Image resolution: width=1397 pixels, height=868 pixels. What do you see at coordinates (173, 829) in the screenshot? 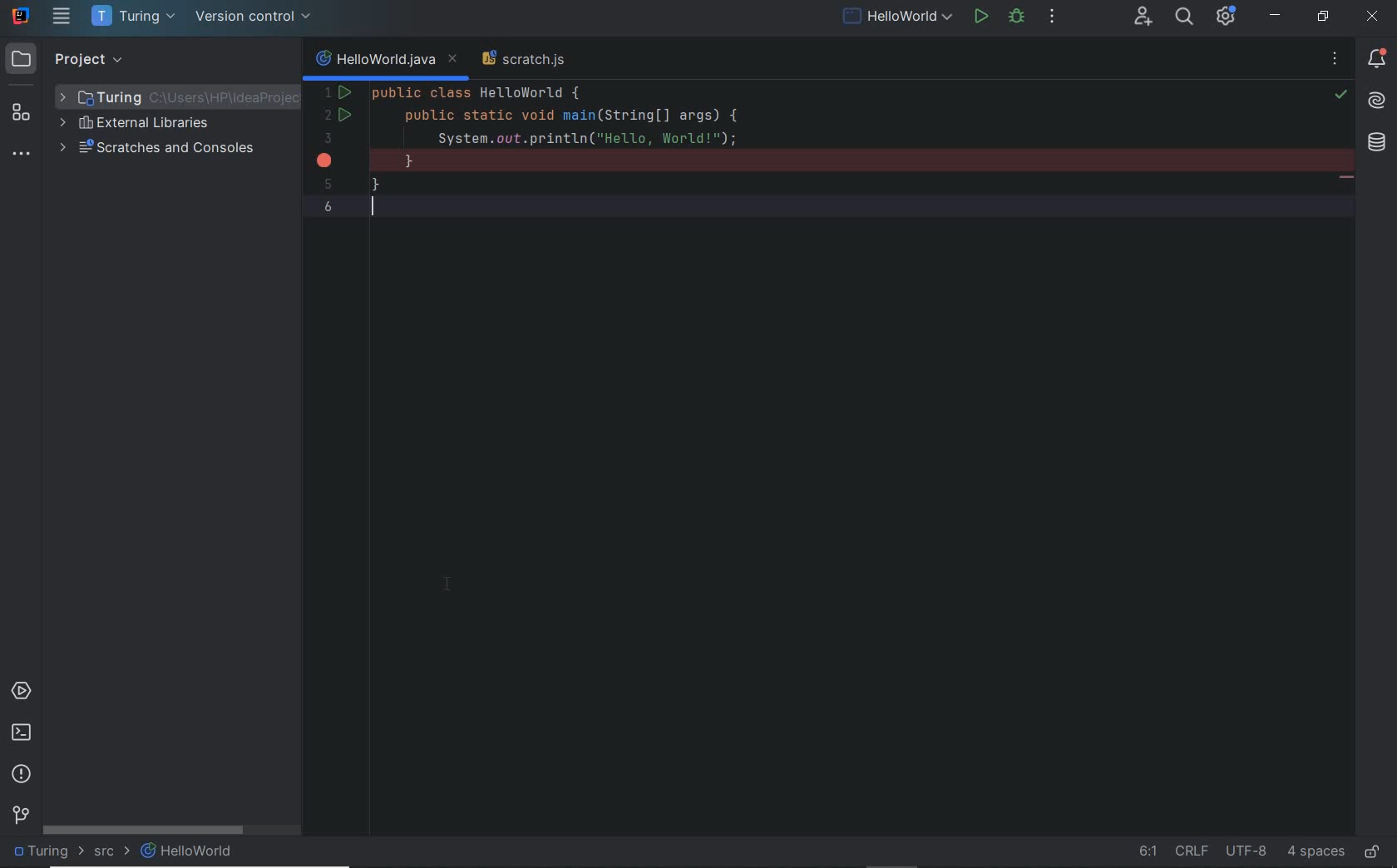
I see `scroll bar` at bounding box center [173, 829].